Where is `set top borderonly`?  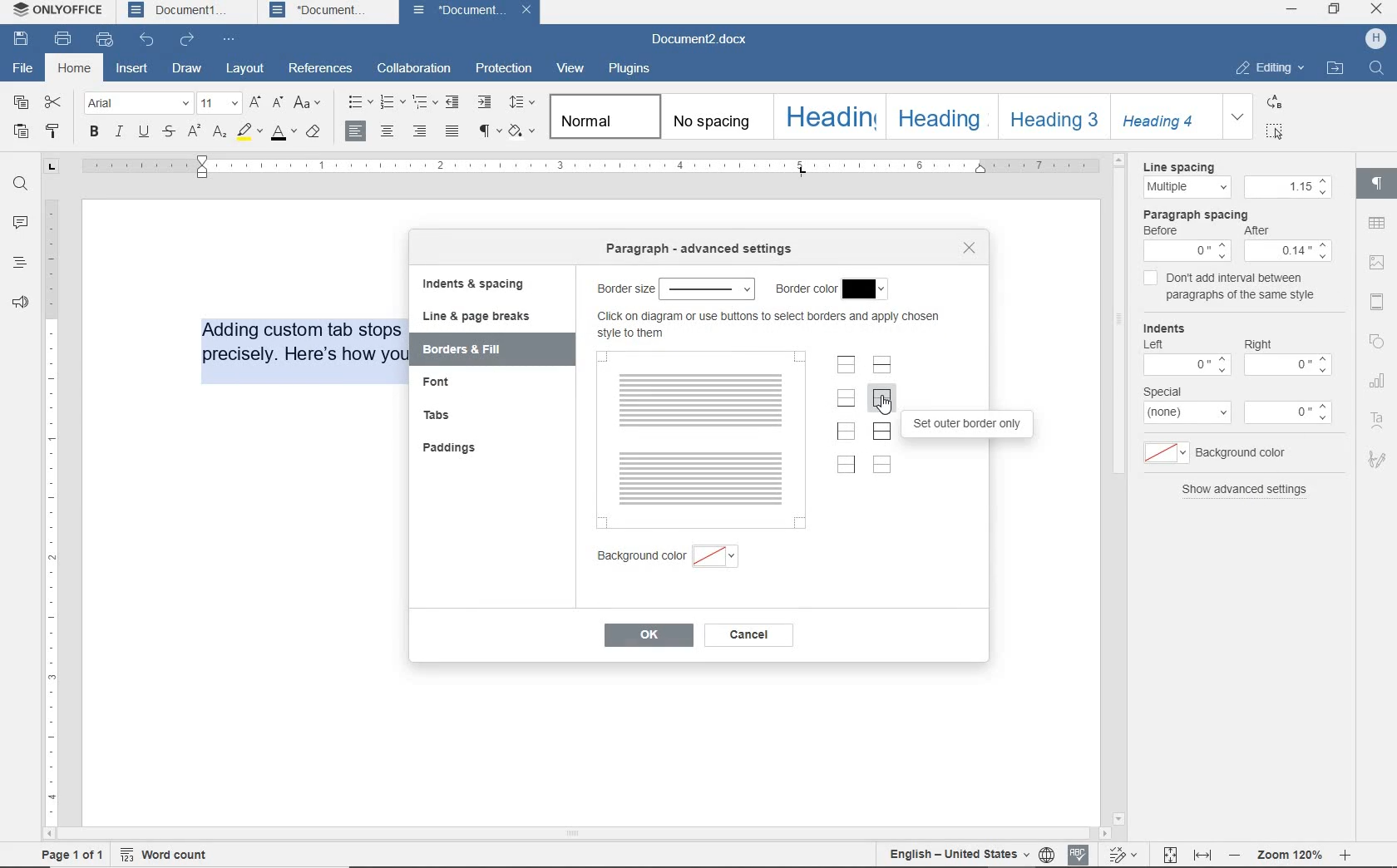
set top borderonly is located at coordinates (847, 367).